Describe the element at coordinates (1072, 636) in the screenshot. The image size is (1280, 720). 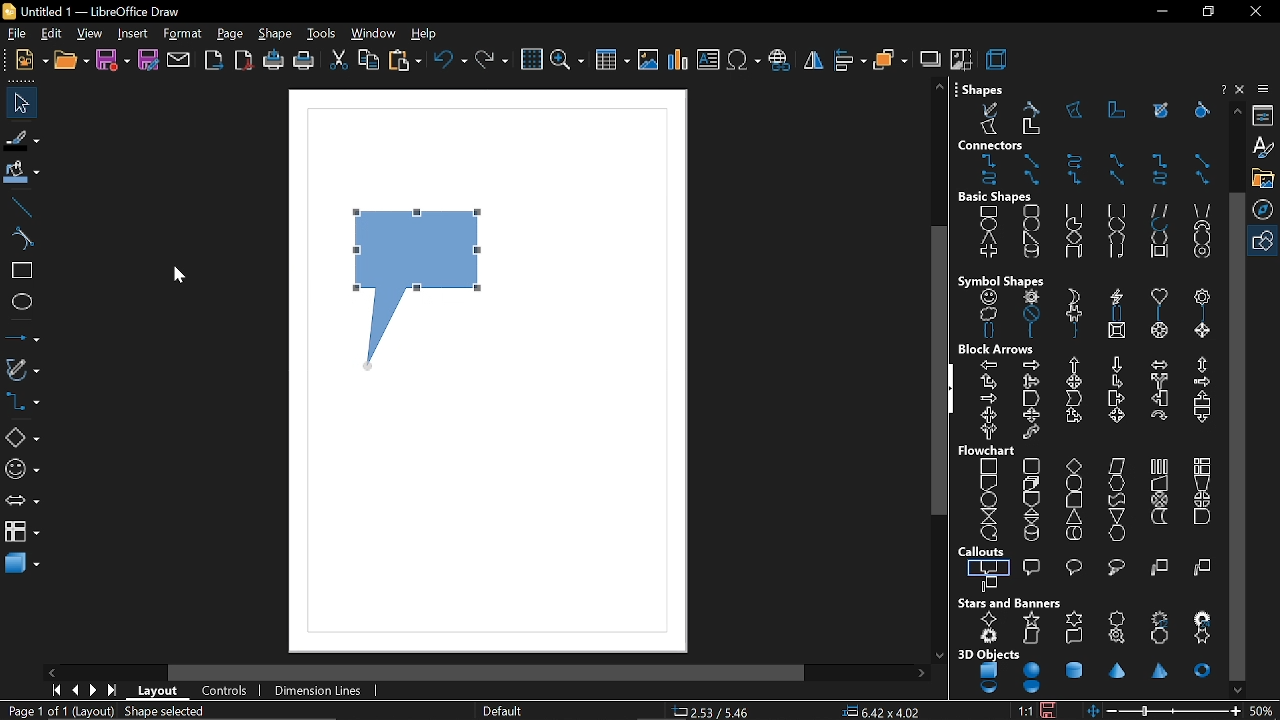
I see `horizontal scroll` at that location.